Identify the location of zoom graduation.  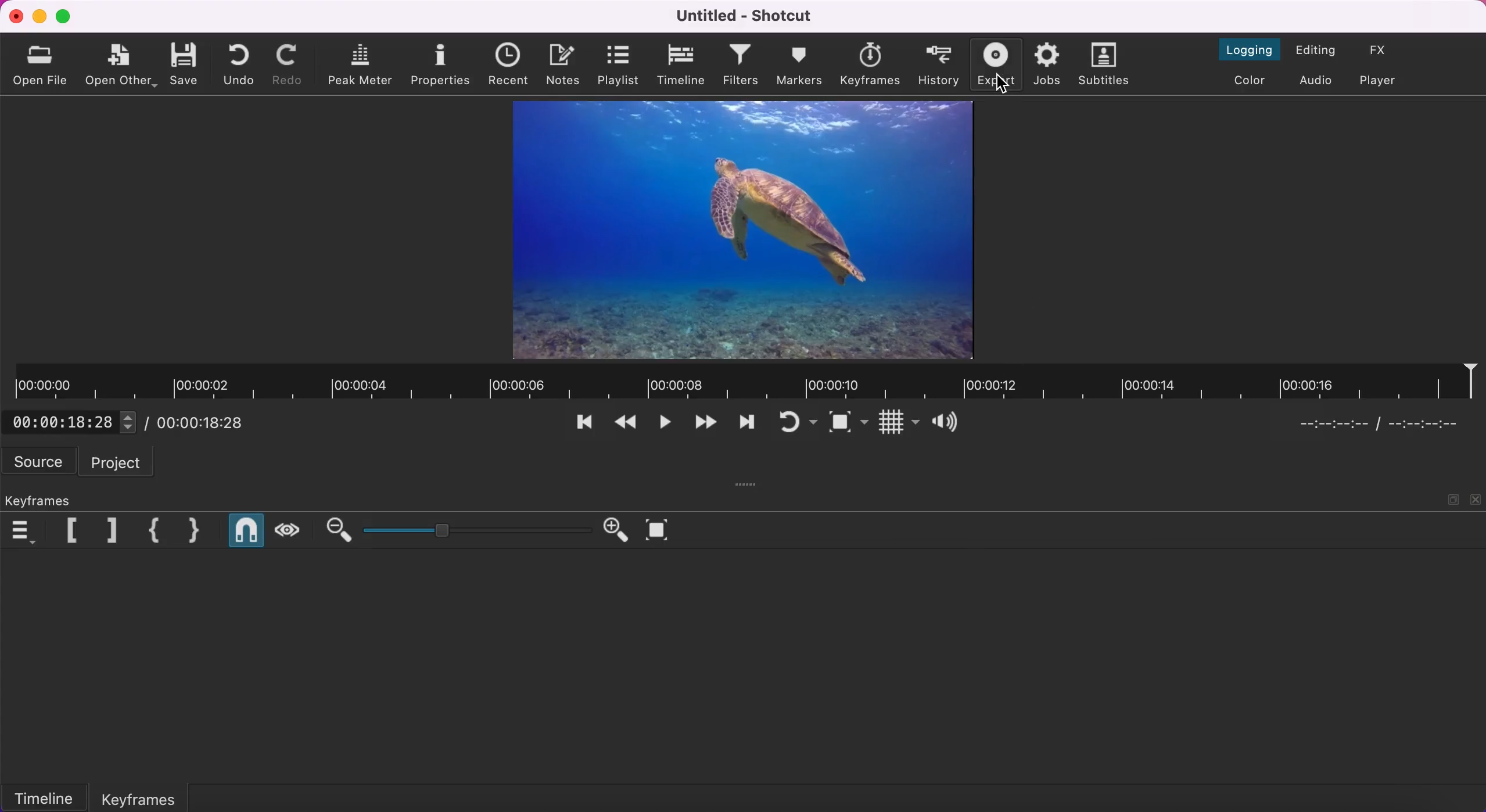
(473, 530).